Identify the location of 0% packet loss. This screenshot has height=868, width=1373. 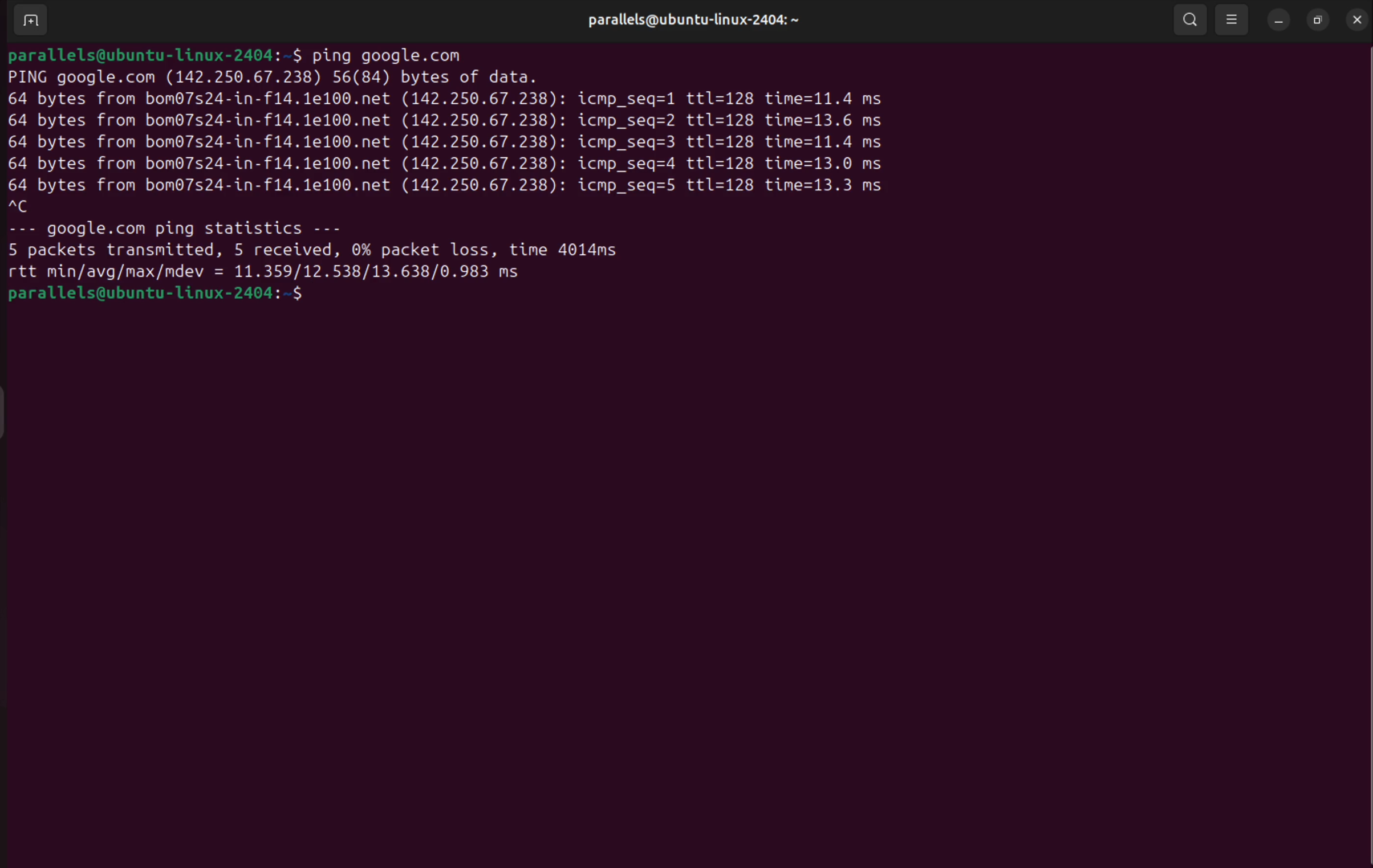
(420, 250).